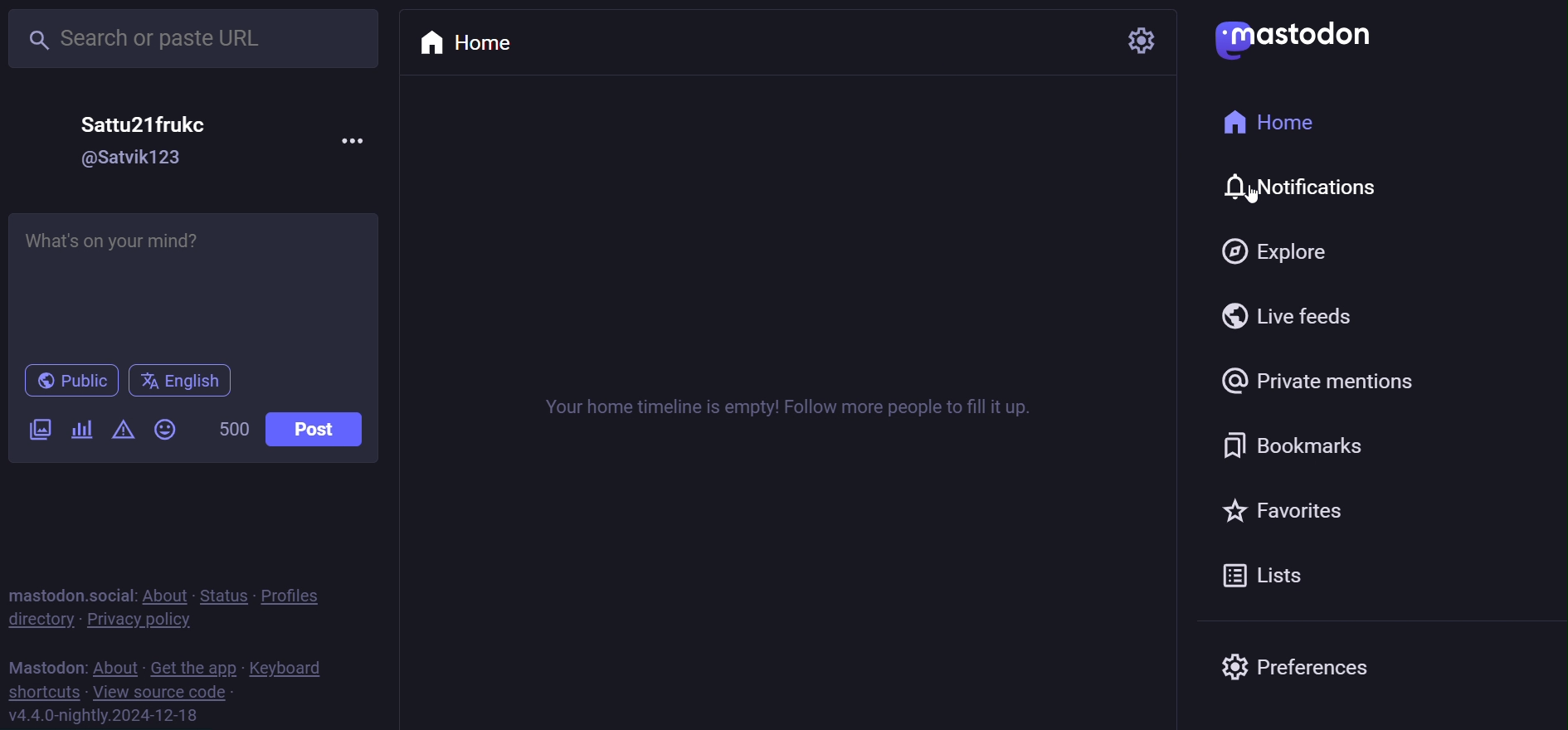  What do you see at coordinates (179, 380) in the screenshot?
I see `english` at bounding box center [179, 380].